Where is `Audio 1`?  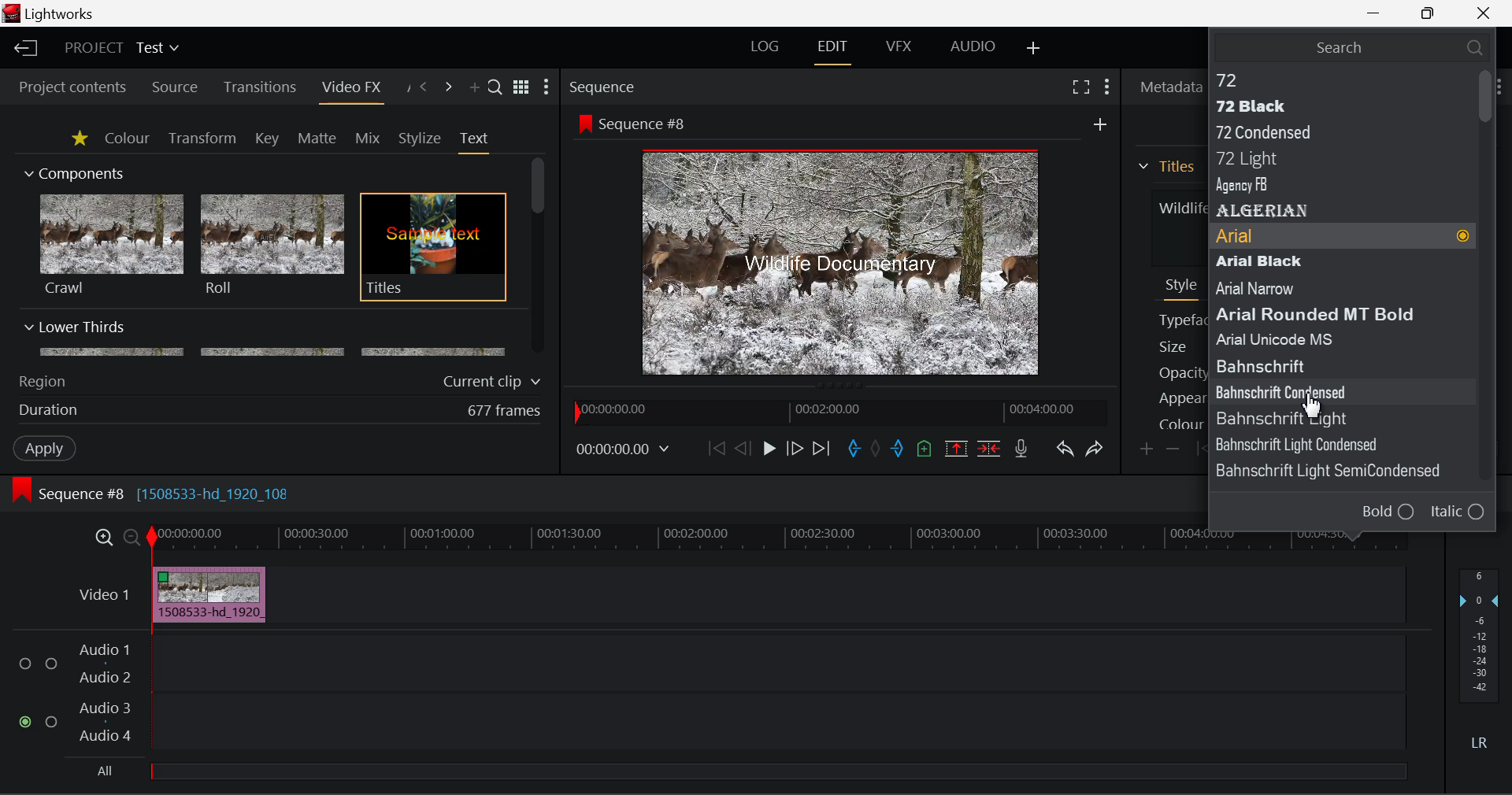 Audio 1 is located at coordinates (102, 652).